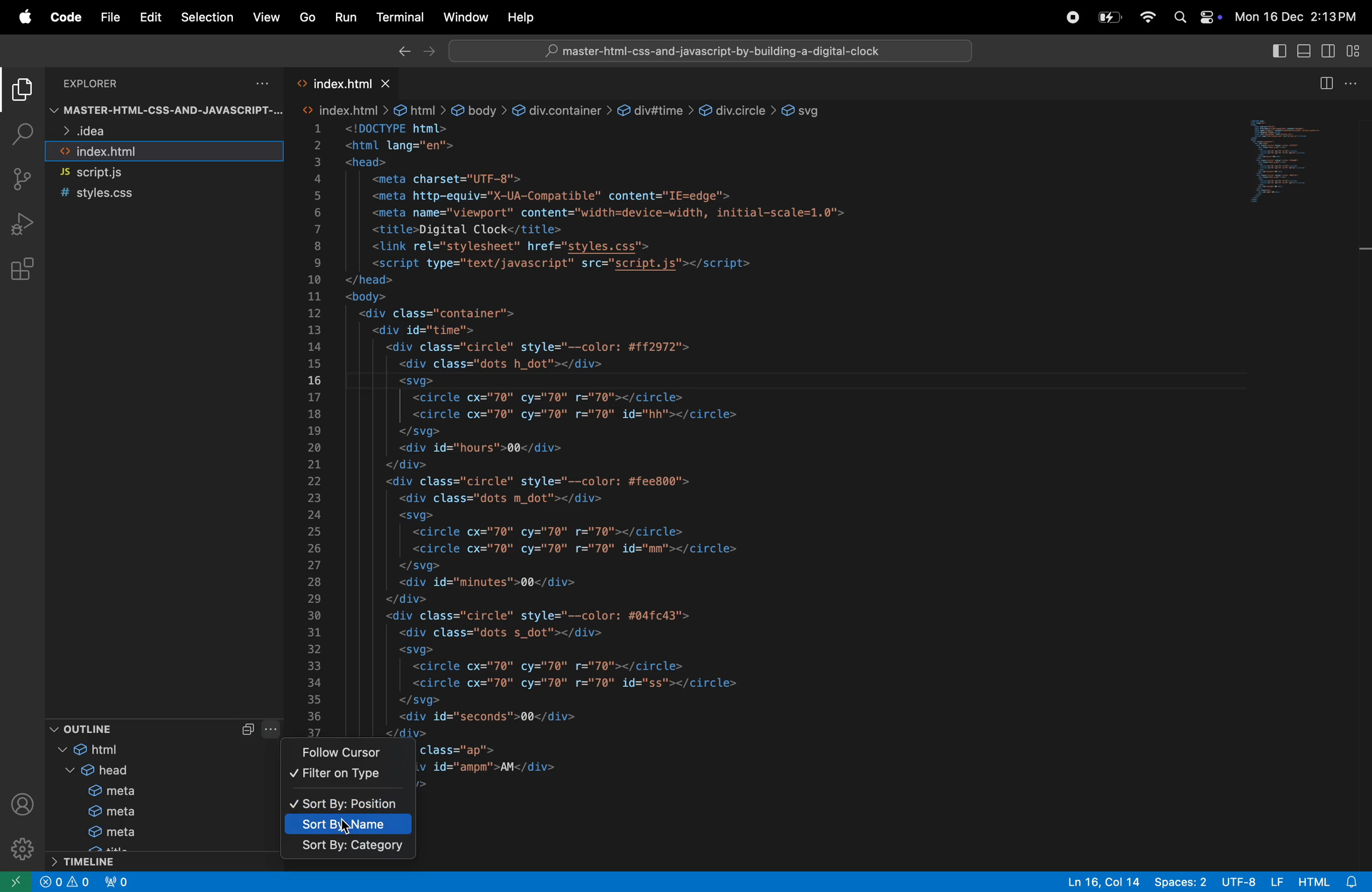  What do you see at coordinates (722, 51) in the screenshot?
I see `master-html-css-and-javascript-by-building-a-digital-clock` at bounding box center [722, 51].